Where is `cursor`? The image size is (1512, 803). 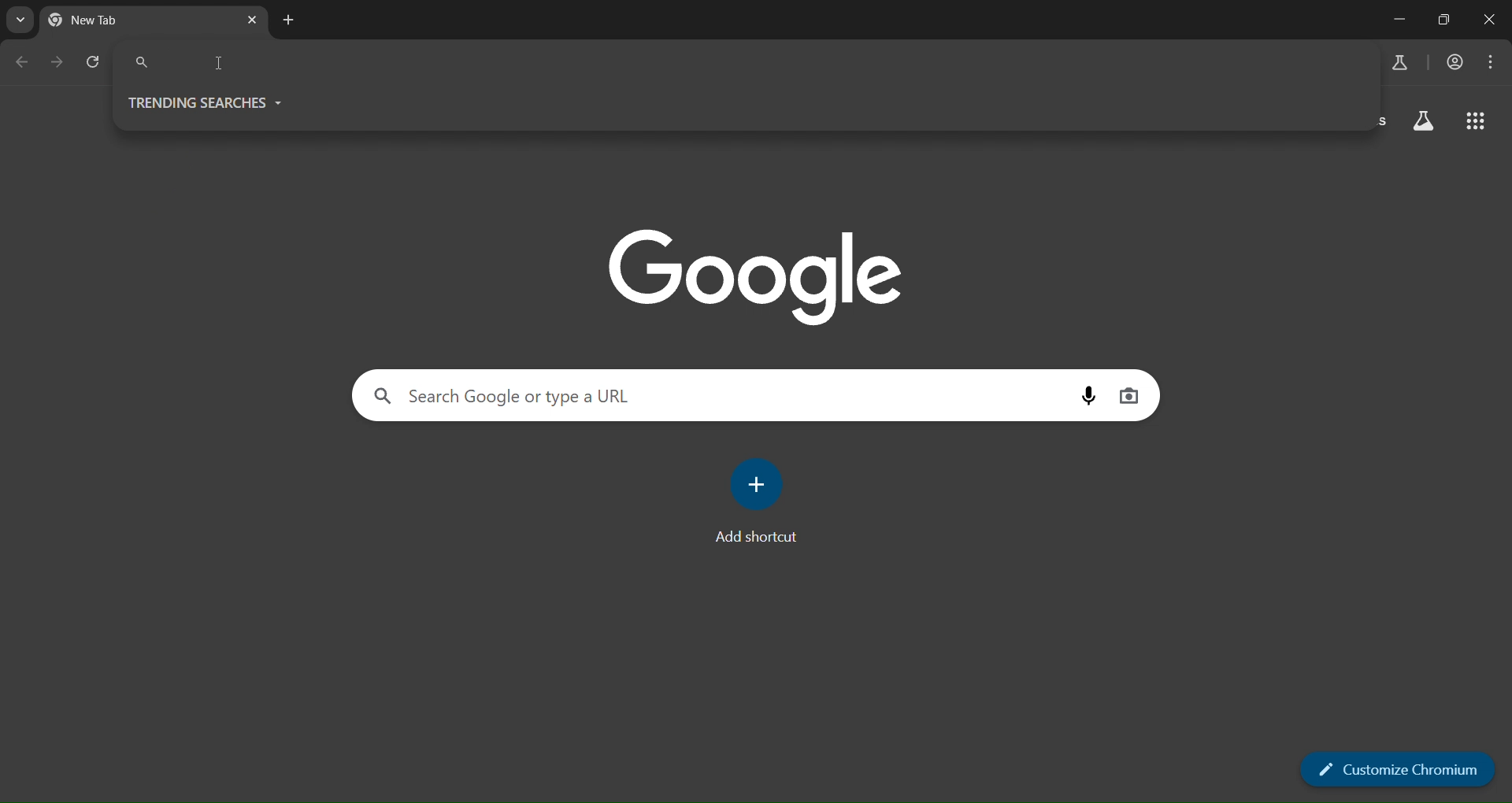 cursor is located at coordinates (217, 65).